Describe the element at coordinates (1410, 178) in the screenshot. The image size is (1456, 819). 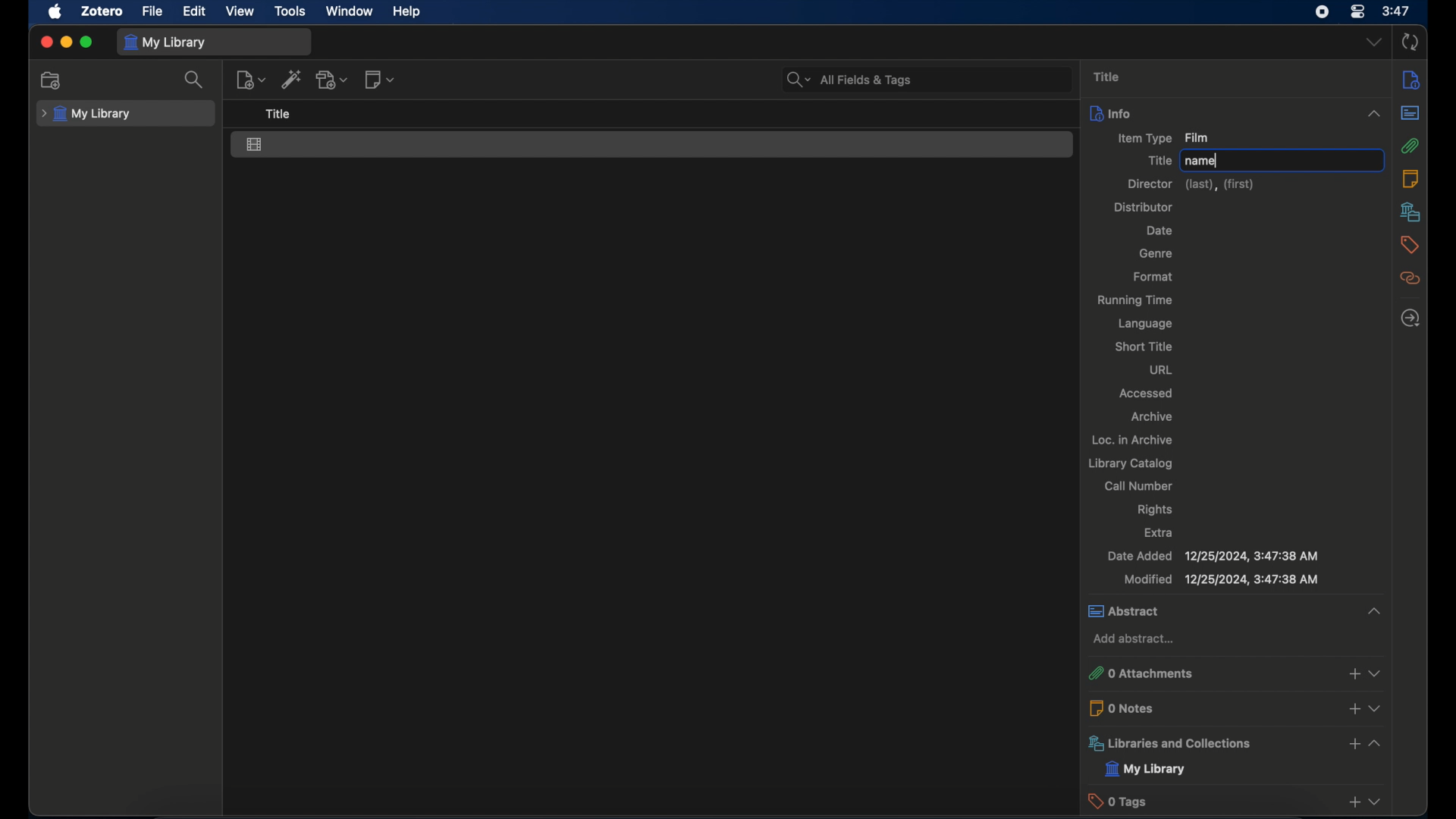
I see `notes` at that location.